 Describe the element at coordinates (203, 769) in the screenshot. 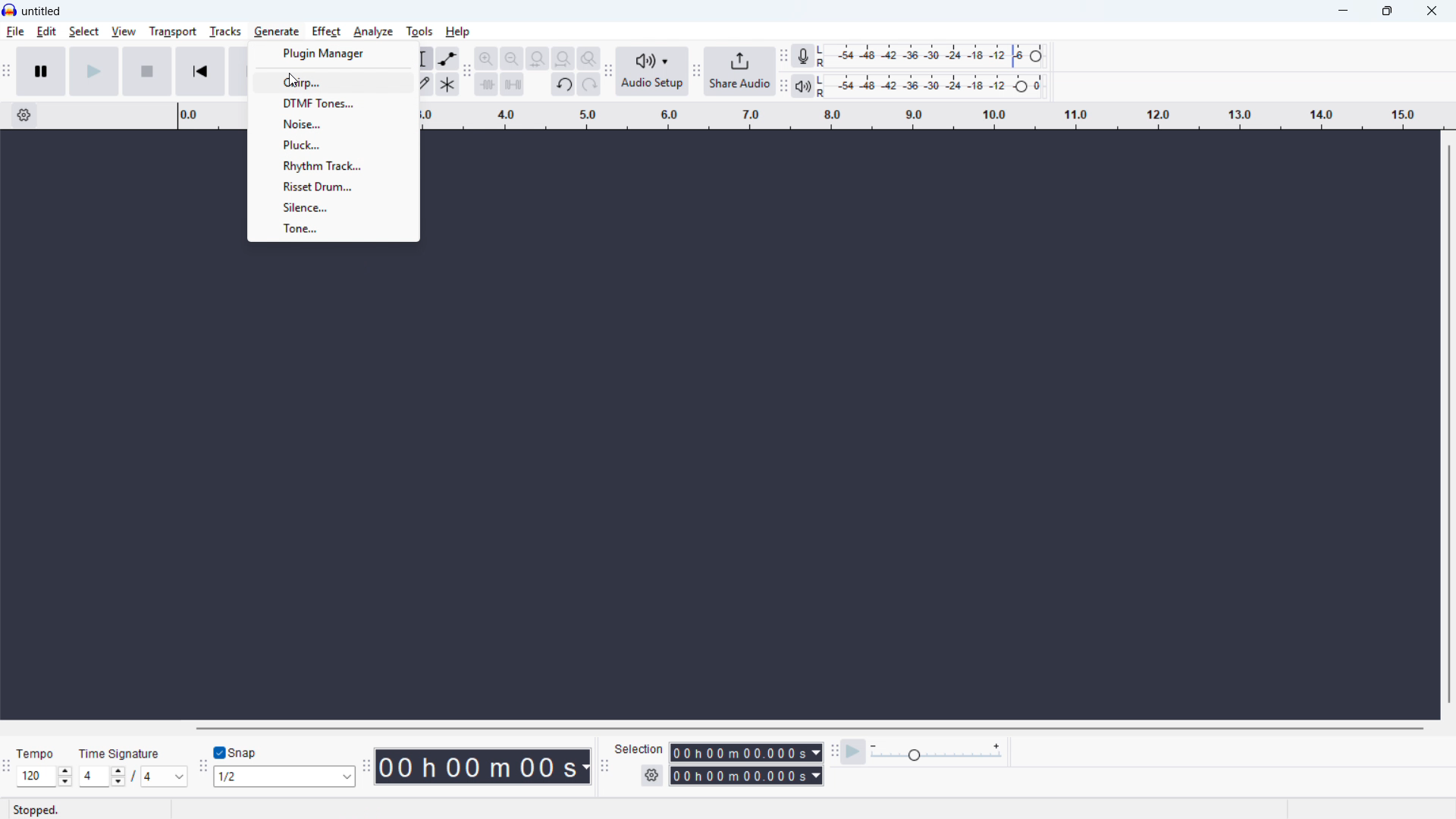

I see `Snapping toolbar ` at that location.